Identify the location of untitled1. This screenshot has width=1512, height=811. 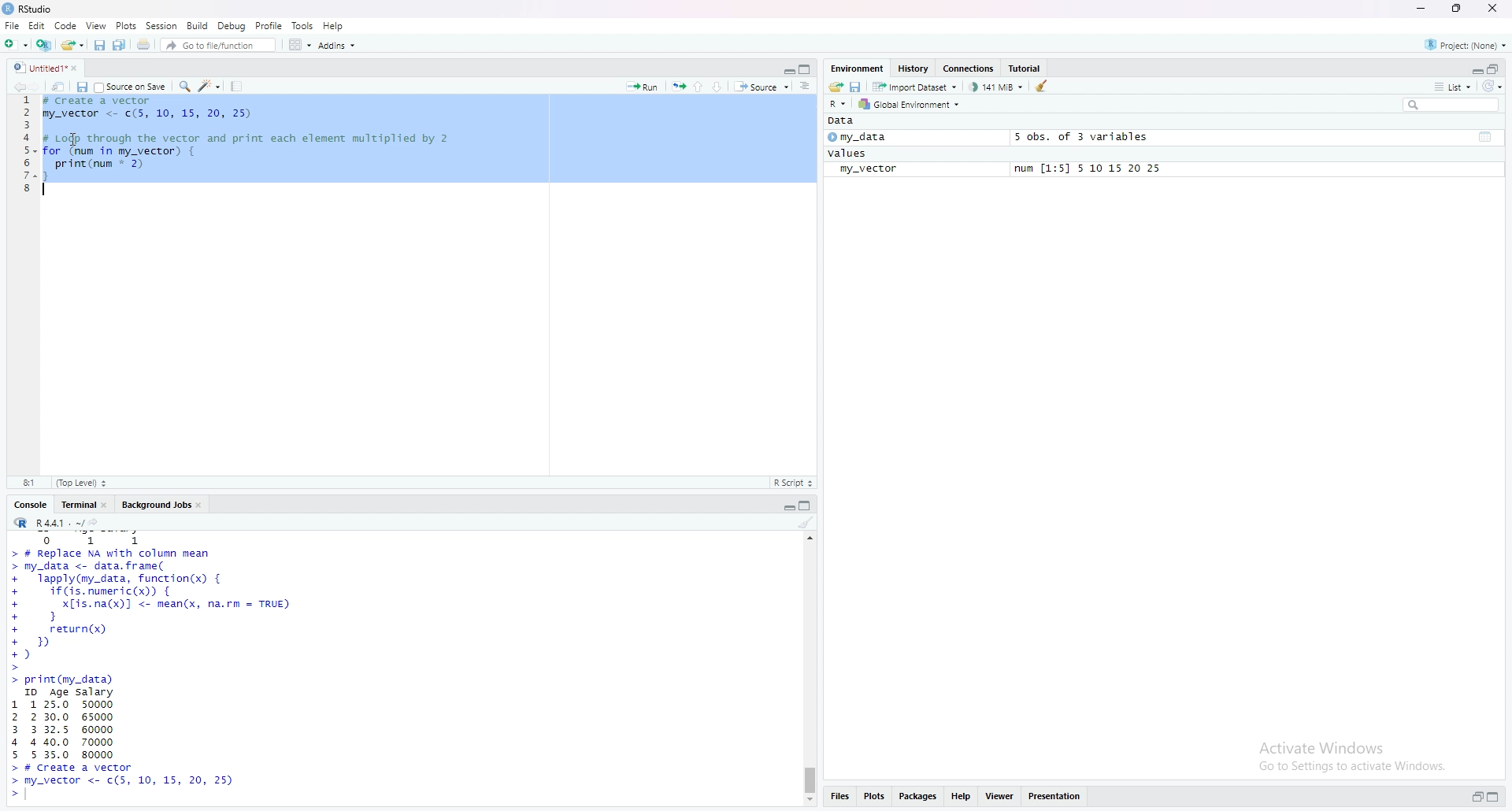
(48, 68).